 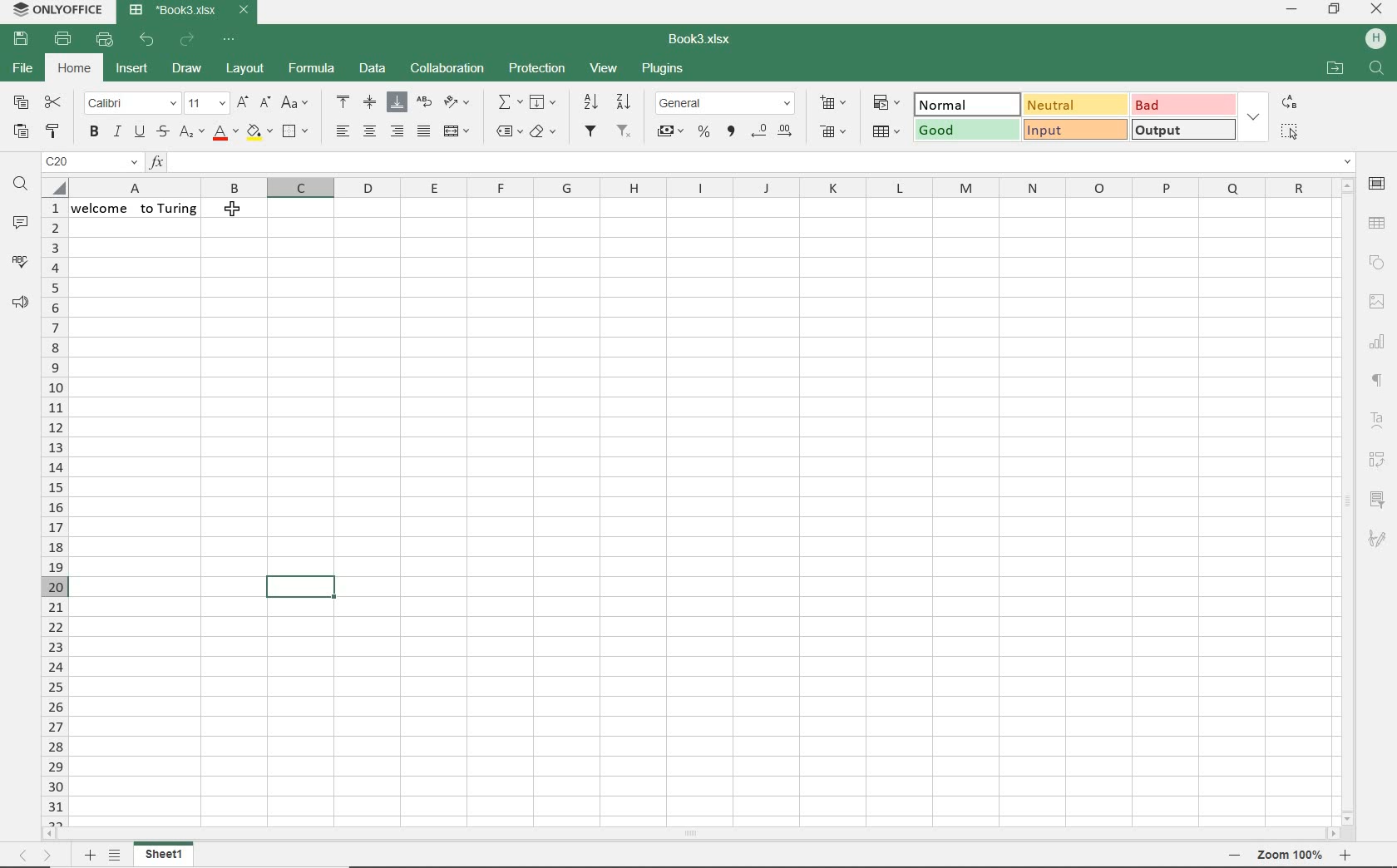 I want to click on SELECT ALL, so click(x=1290, y=132).